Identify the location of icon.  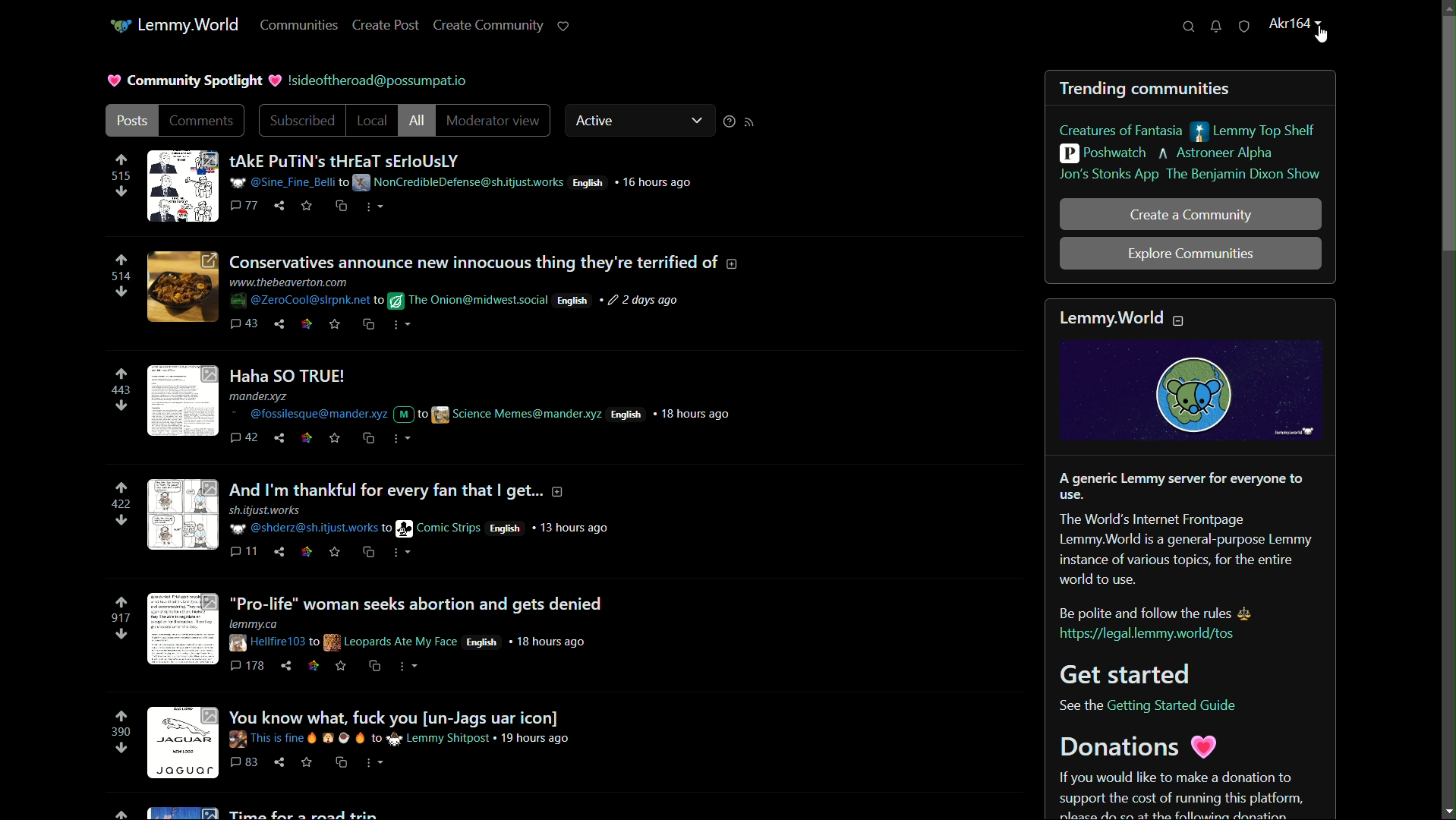
(118, 27).